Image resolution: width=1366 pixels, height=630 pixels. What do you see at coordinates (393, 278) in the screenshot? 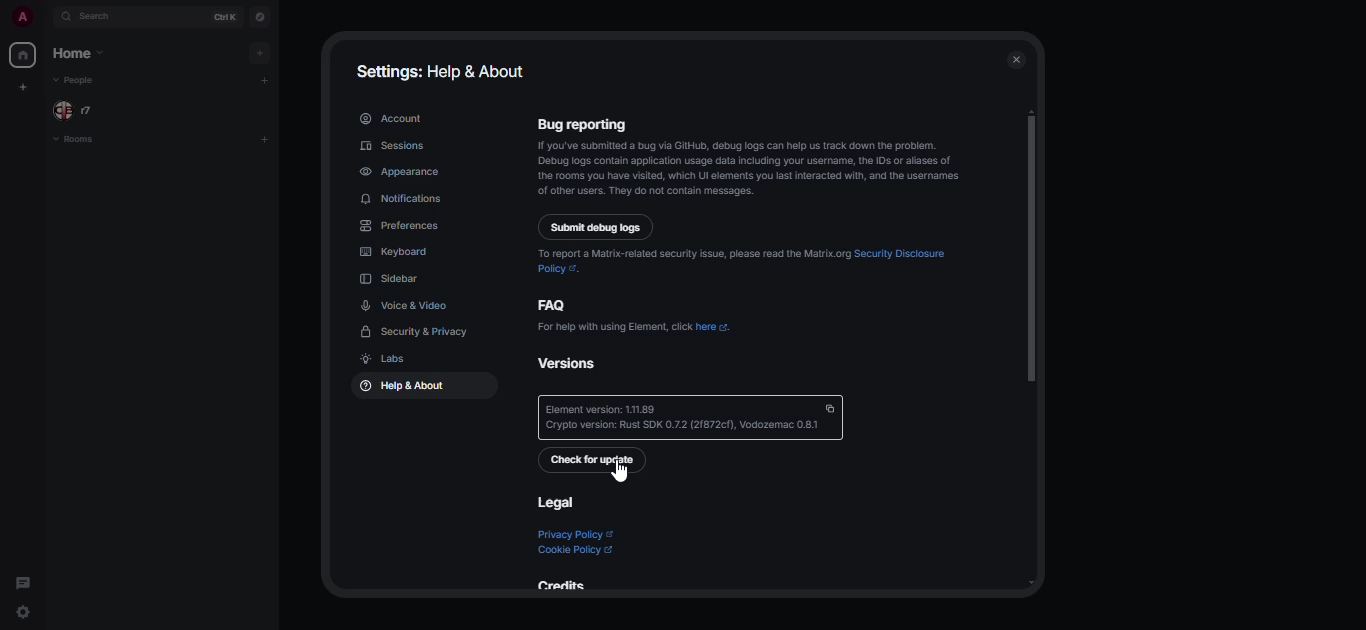
I see `sidebar` at bounding box center [393, 278].